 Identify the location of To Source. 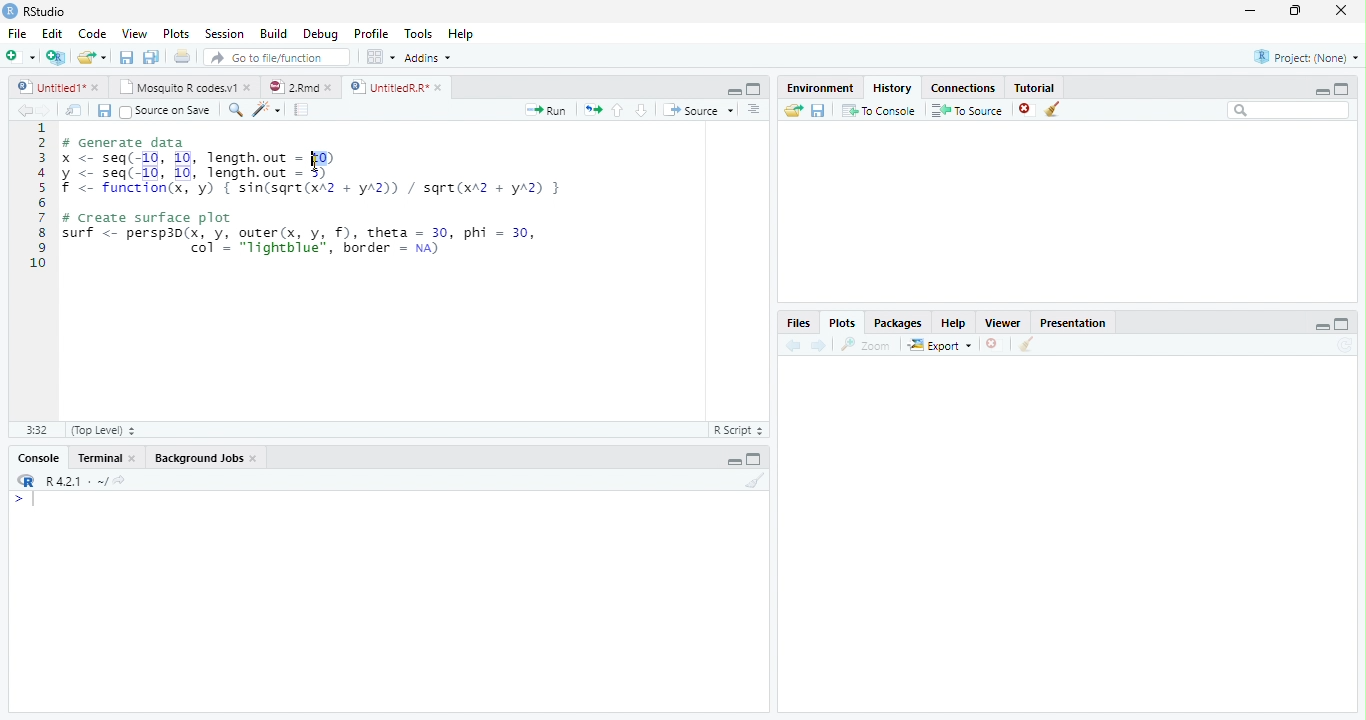
(966, 110).